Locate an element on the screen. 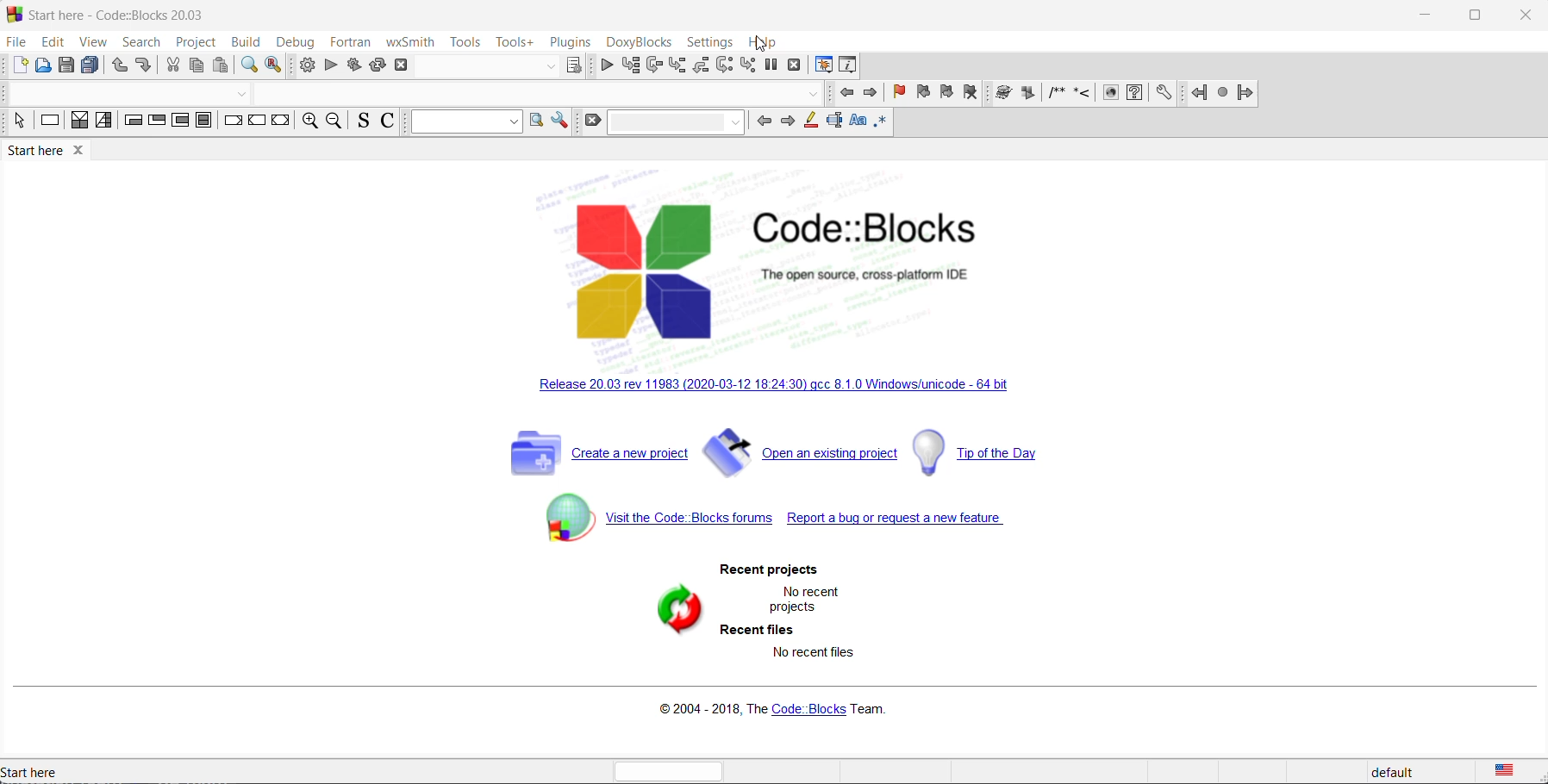  wxSmith is located at coordinates (406, 42).